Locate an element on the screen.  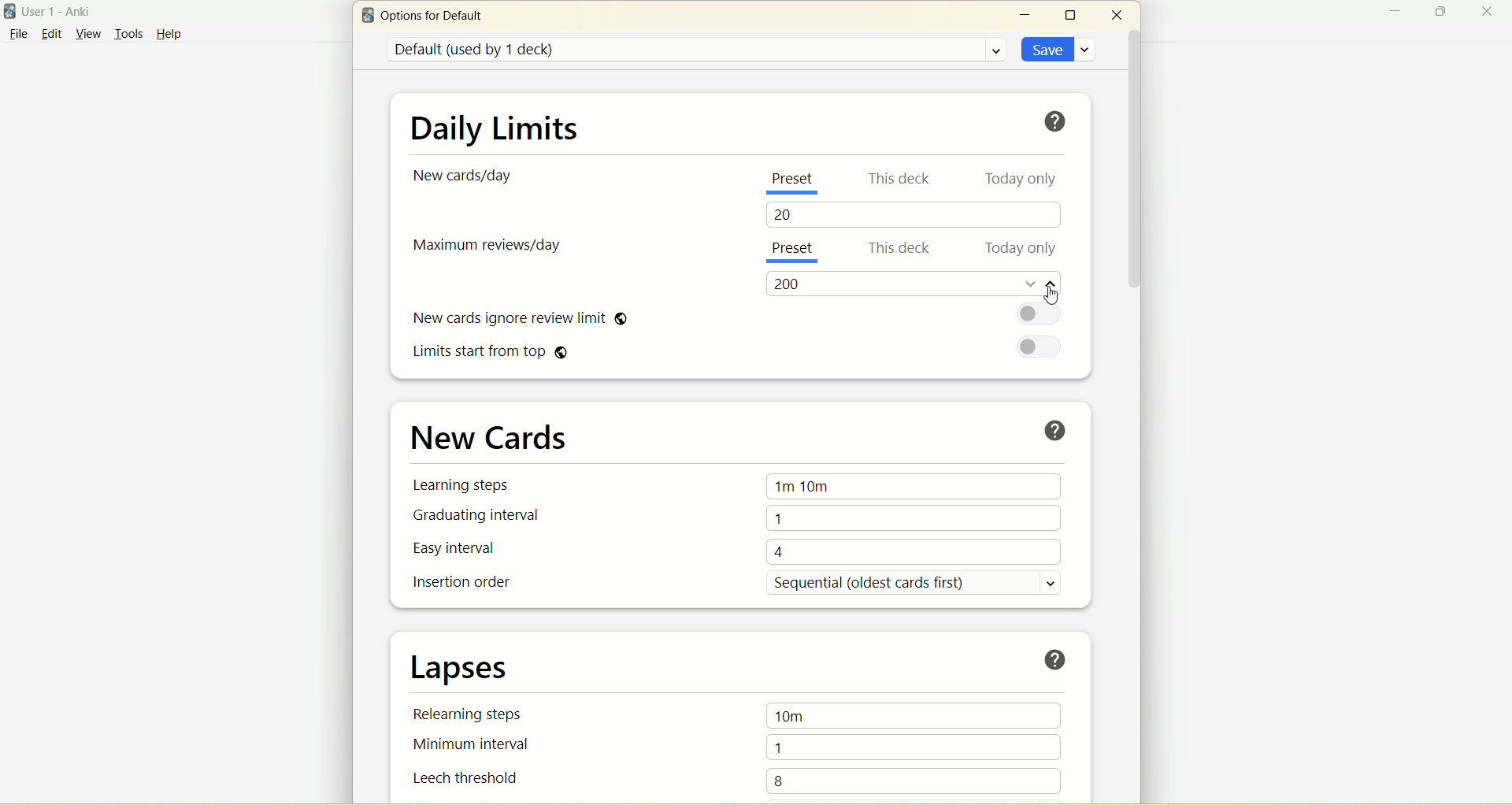
insertion order is located at coordinates (461, 583).